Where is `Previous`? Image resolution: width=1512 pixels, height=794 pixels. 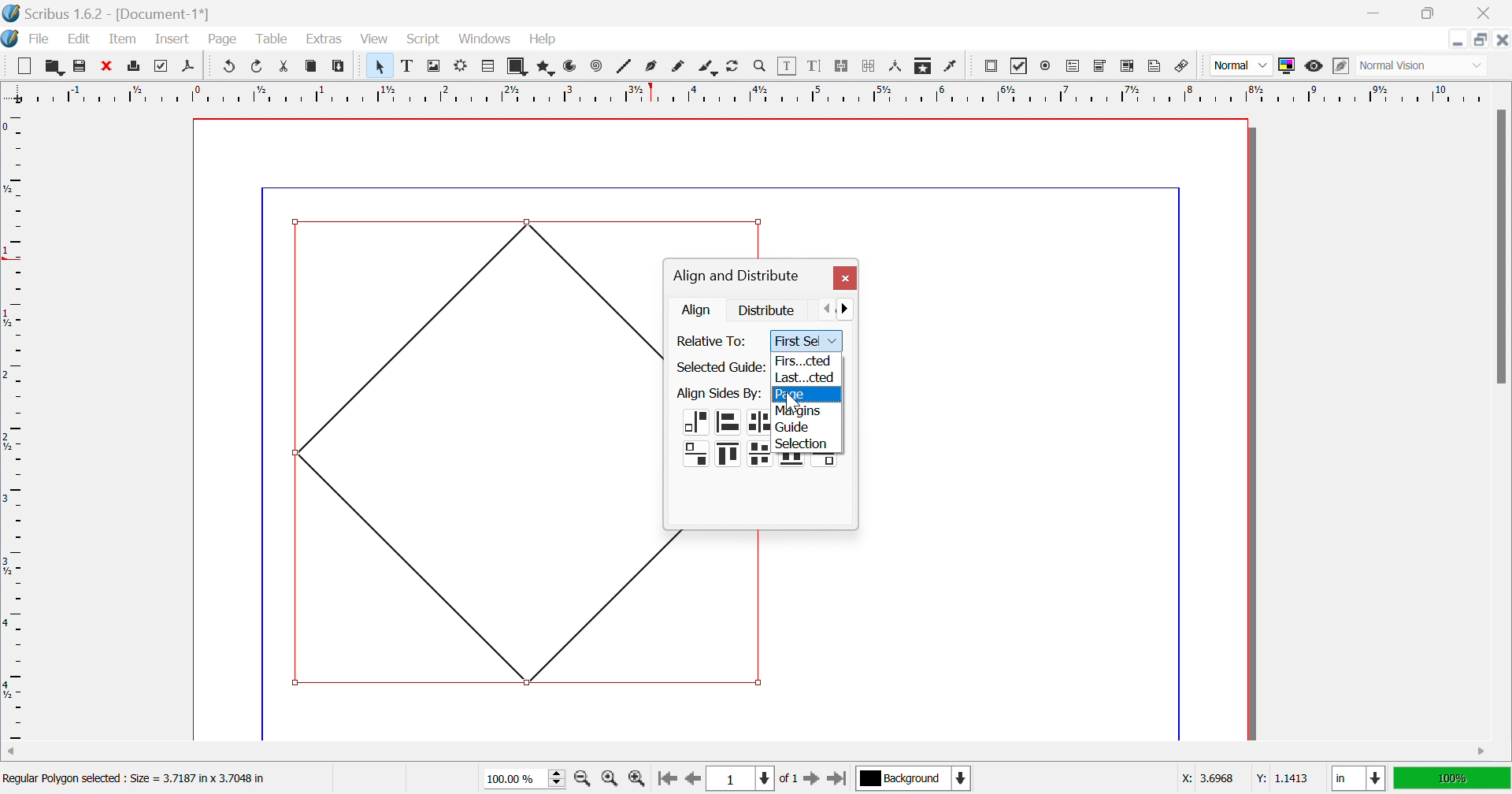 Previous is located at coordinates (829, 307).